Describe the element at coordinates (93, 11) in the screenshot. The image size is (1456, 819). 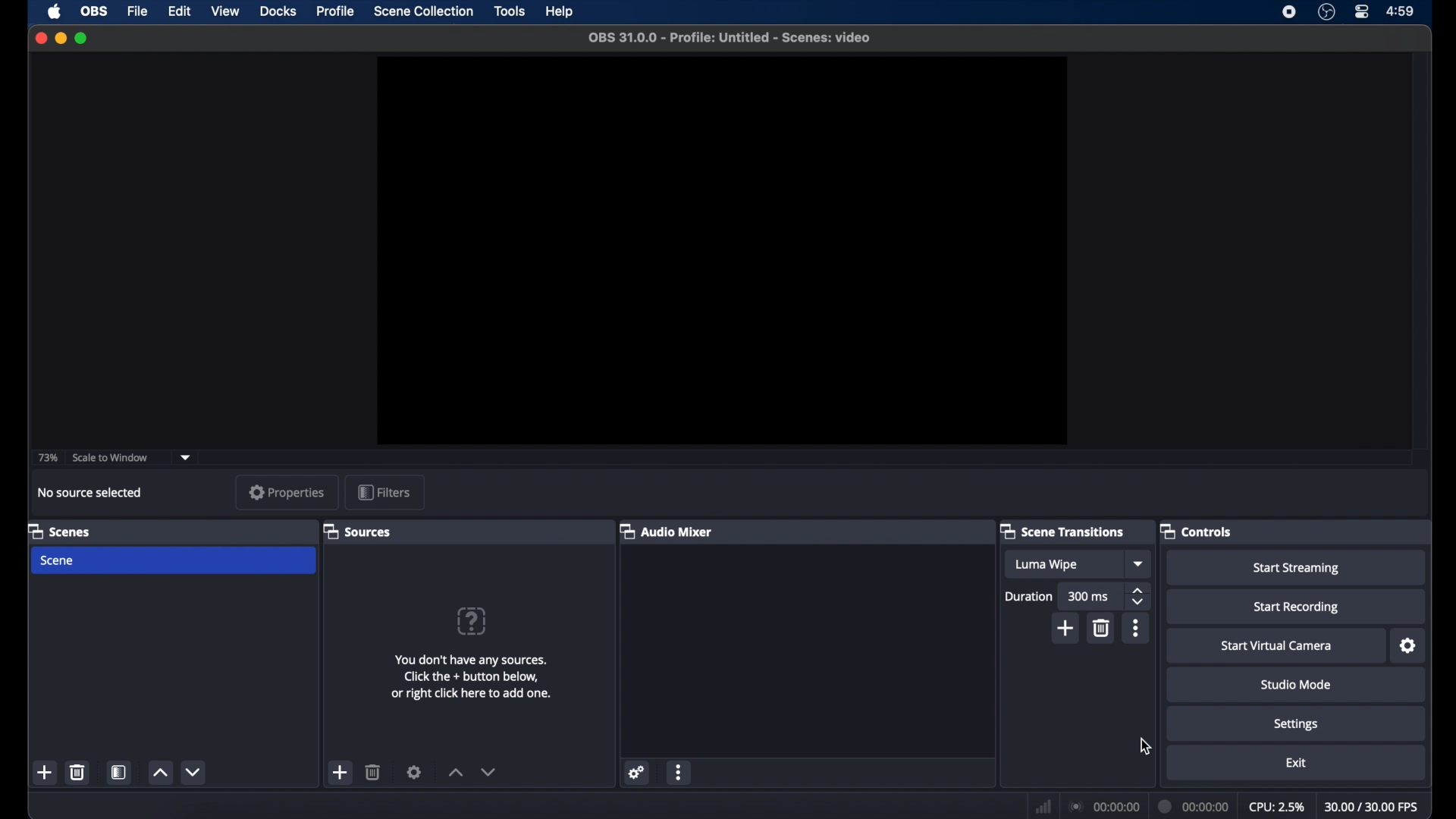
I see `obs` at that location.